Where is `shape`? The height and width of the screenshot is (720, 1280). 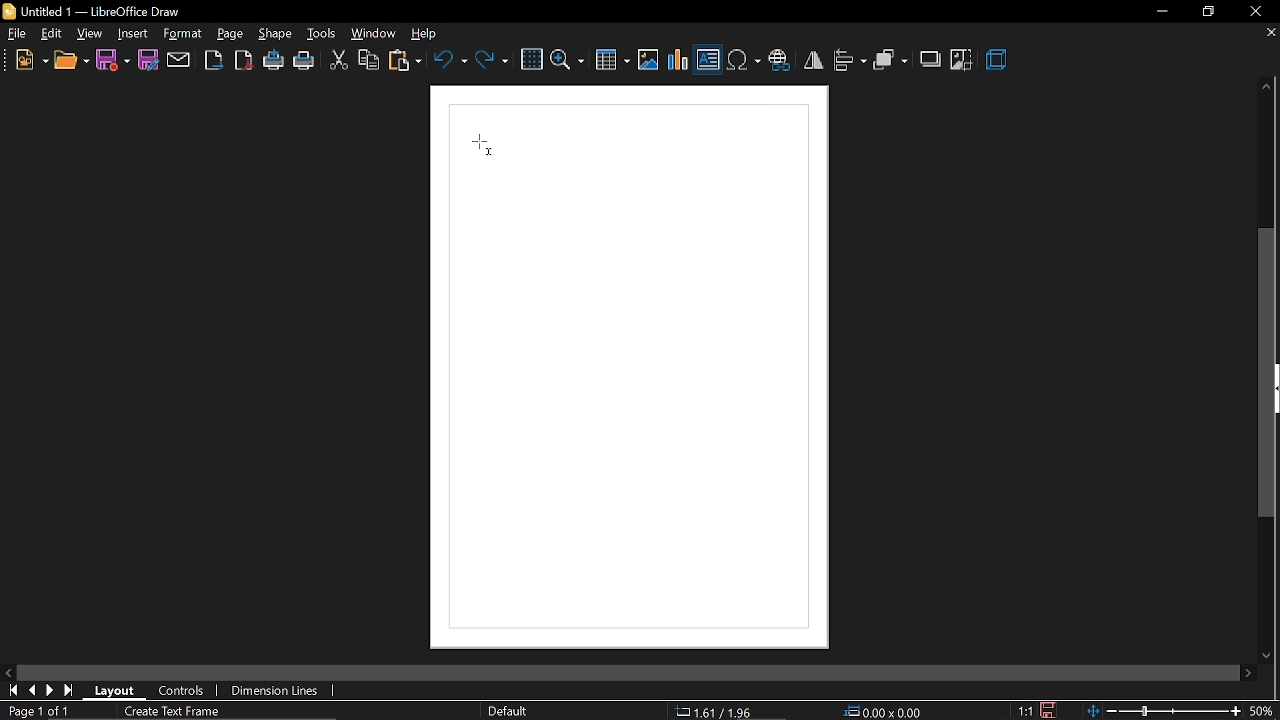
shape is located at coordinates (277, 35).